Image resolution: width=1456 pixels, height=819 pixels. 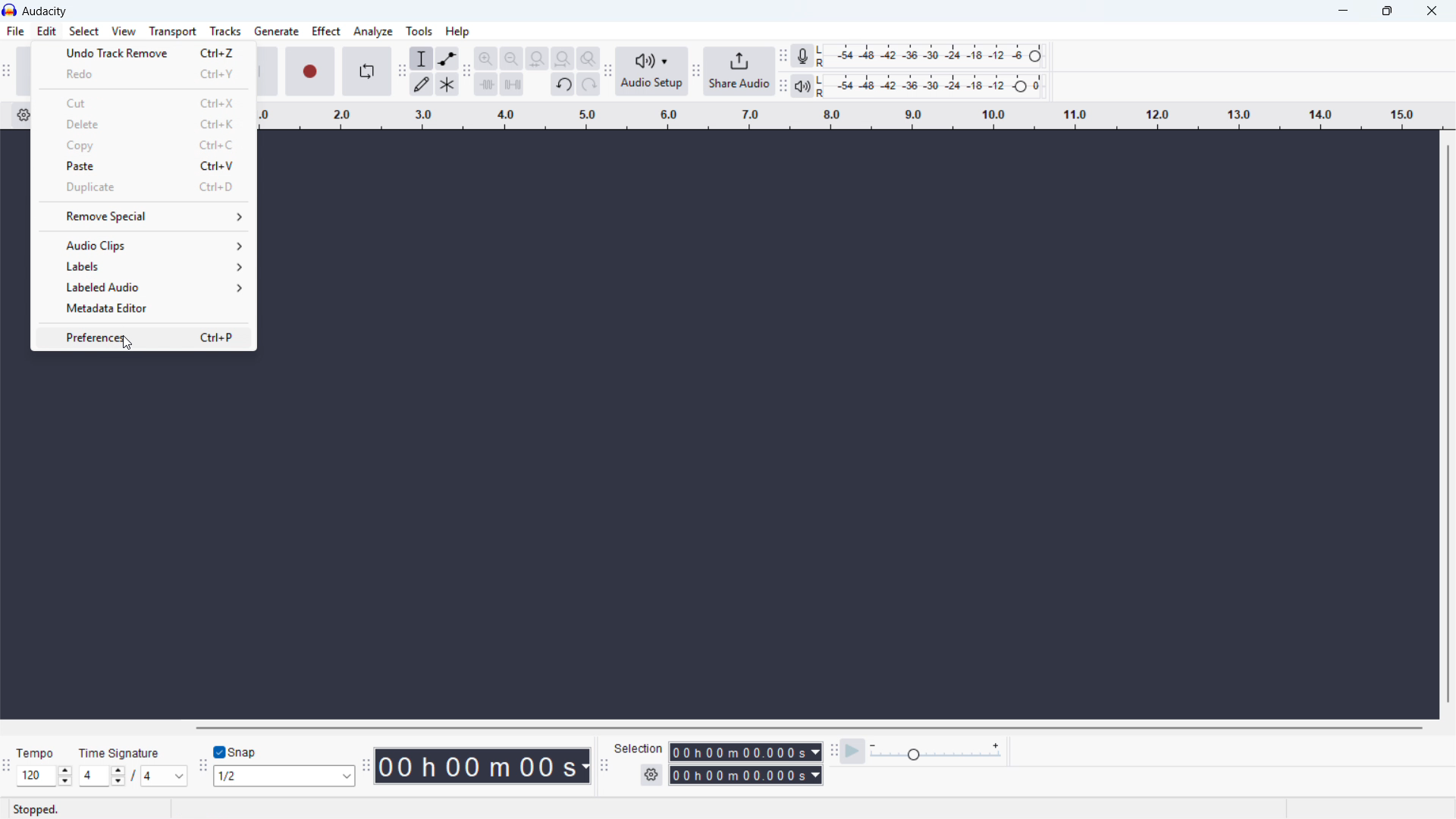 I want to click on tracks, so click(x=224, y=31).